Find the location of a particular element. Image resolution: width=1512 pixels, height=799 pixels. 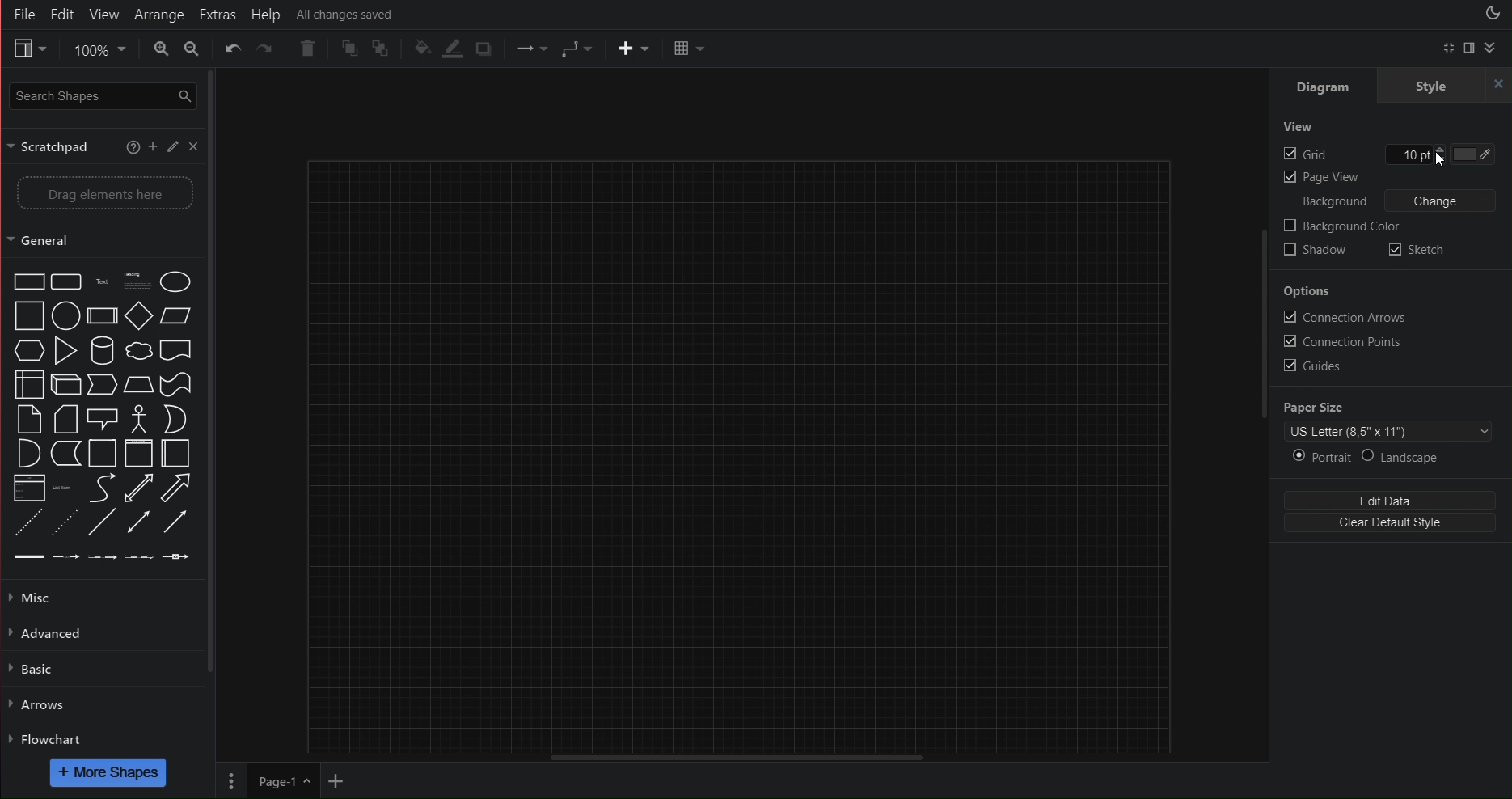

Fullscreen is located at coordinates (1447, 49).